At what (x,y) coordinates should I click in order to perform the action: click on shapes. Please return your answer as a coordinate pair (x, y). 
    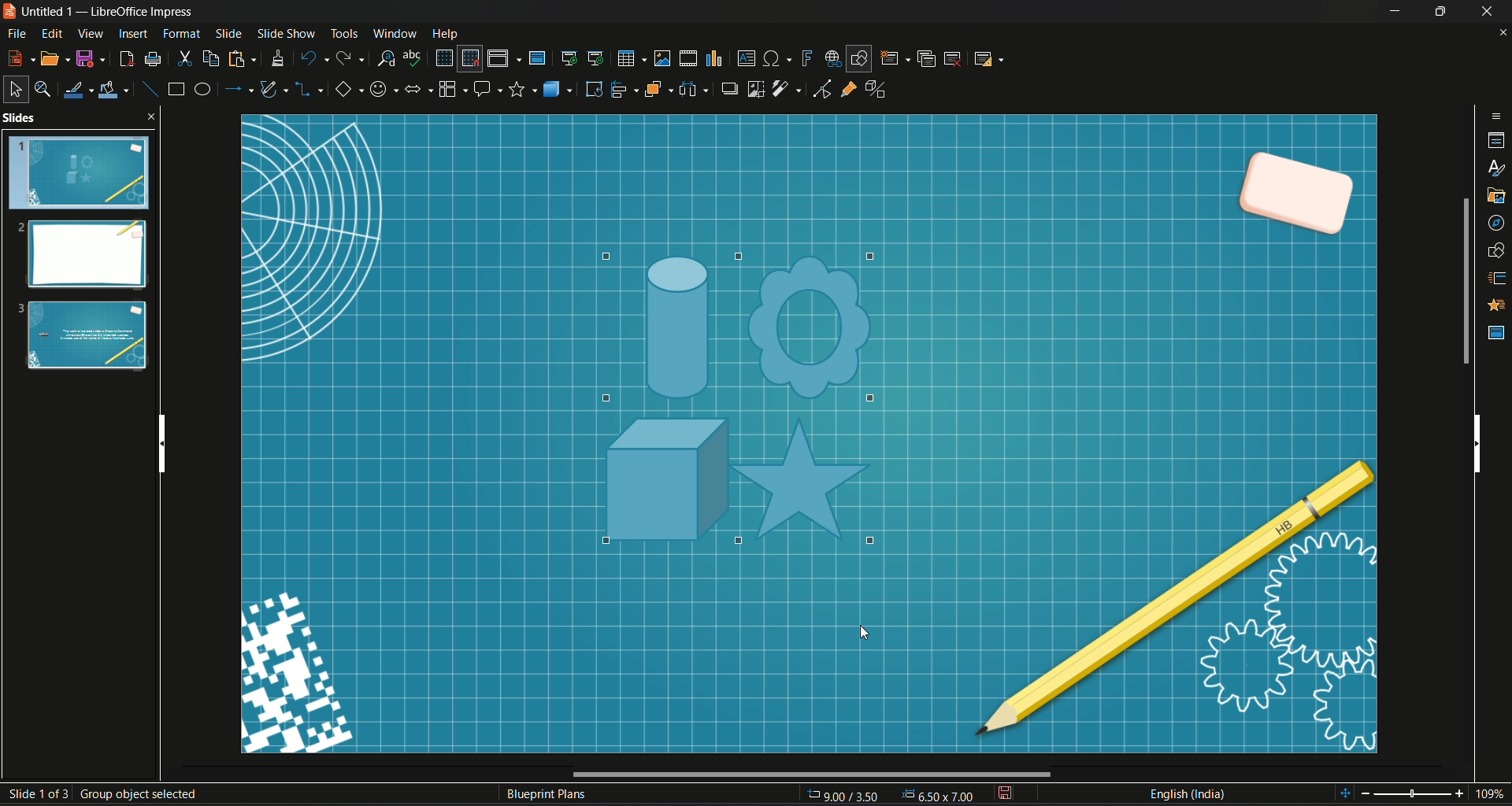
    Looking at the image, I should click on (1497, 251).